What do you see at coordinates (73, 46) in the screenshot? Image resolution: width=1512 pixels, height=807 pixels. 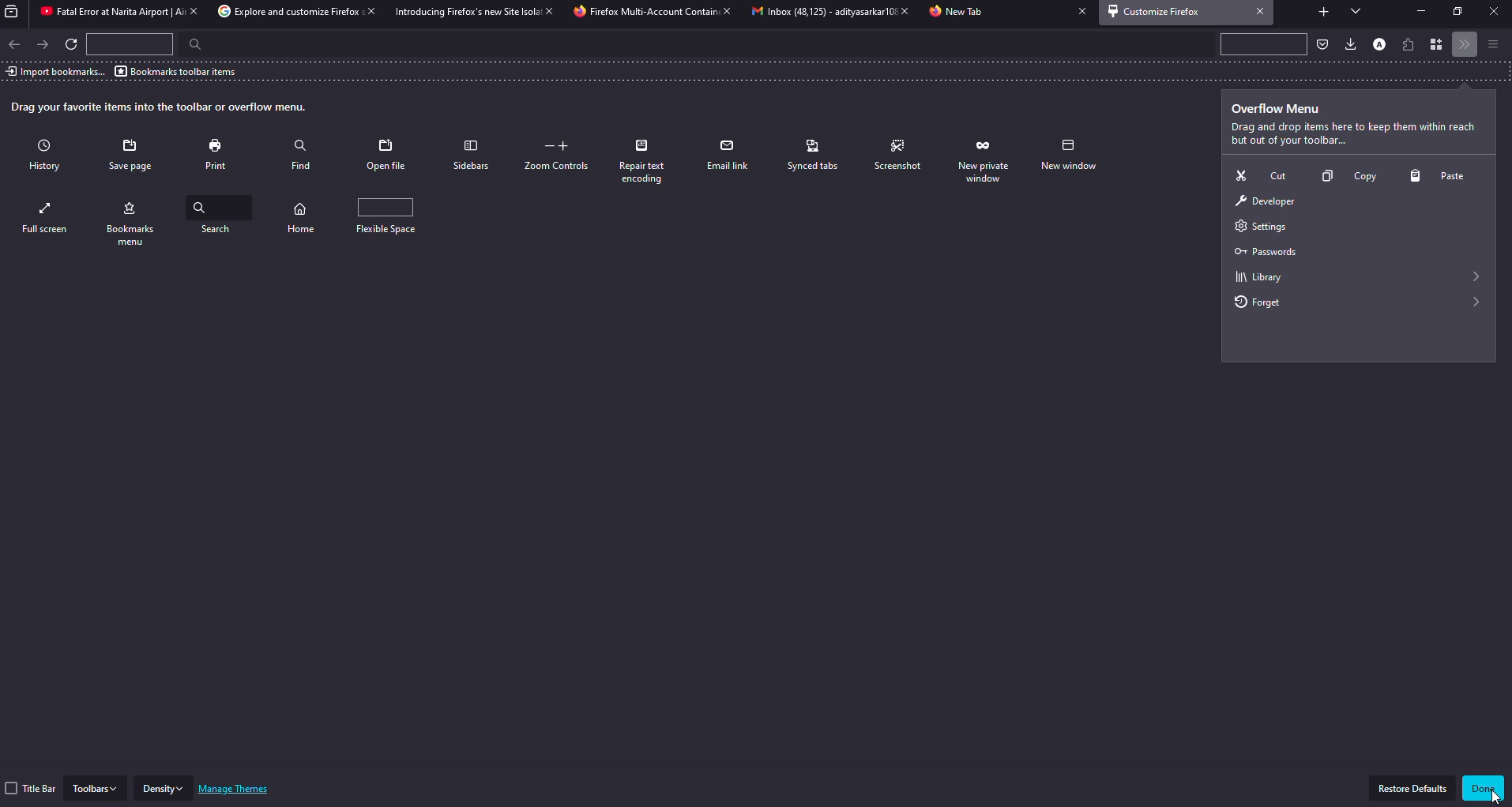 I see `refresh` at bounding box center [73, 46].